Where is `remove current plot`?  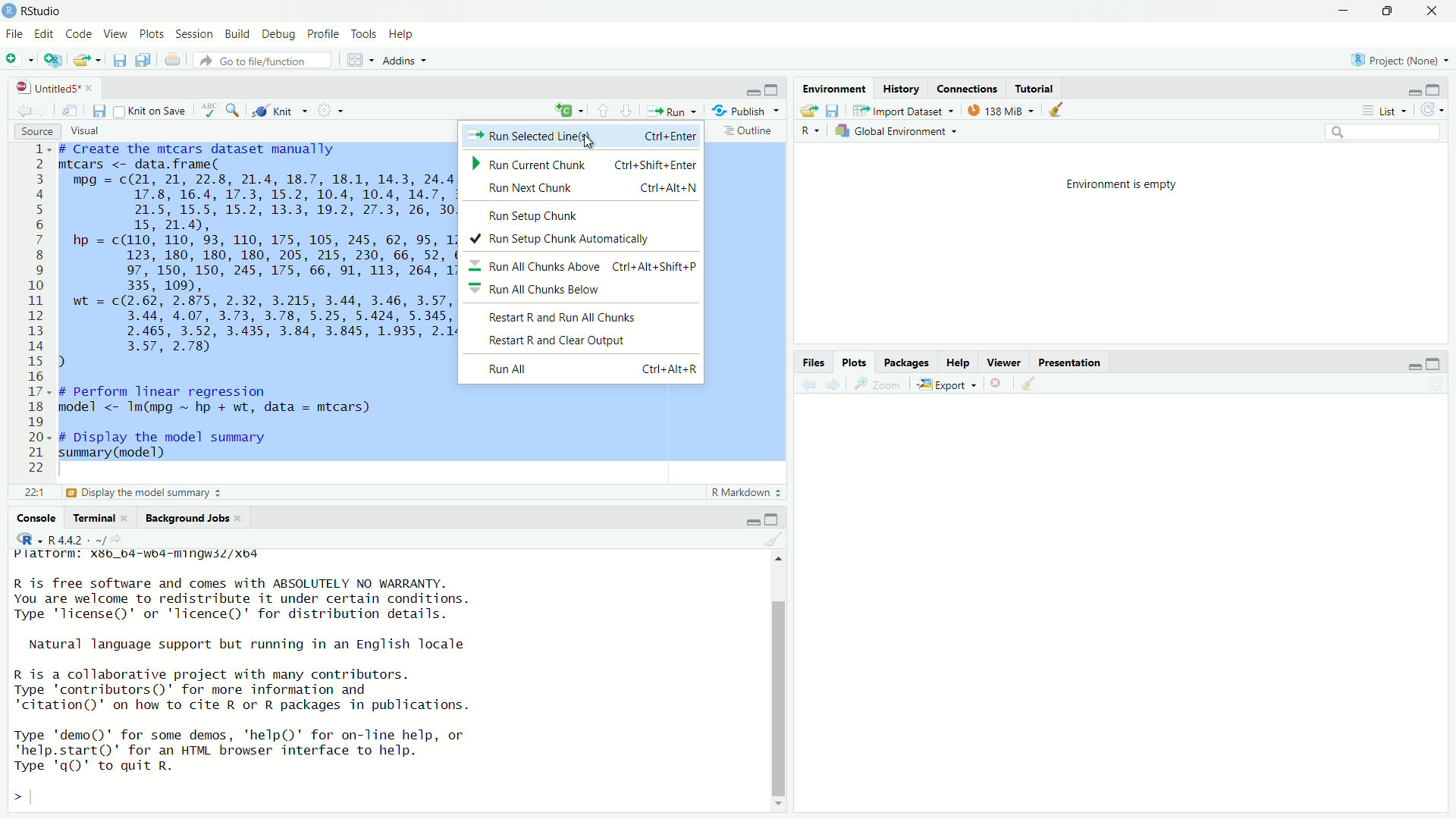
remove current plot is located at coordinates (999, 383).